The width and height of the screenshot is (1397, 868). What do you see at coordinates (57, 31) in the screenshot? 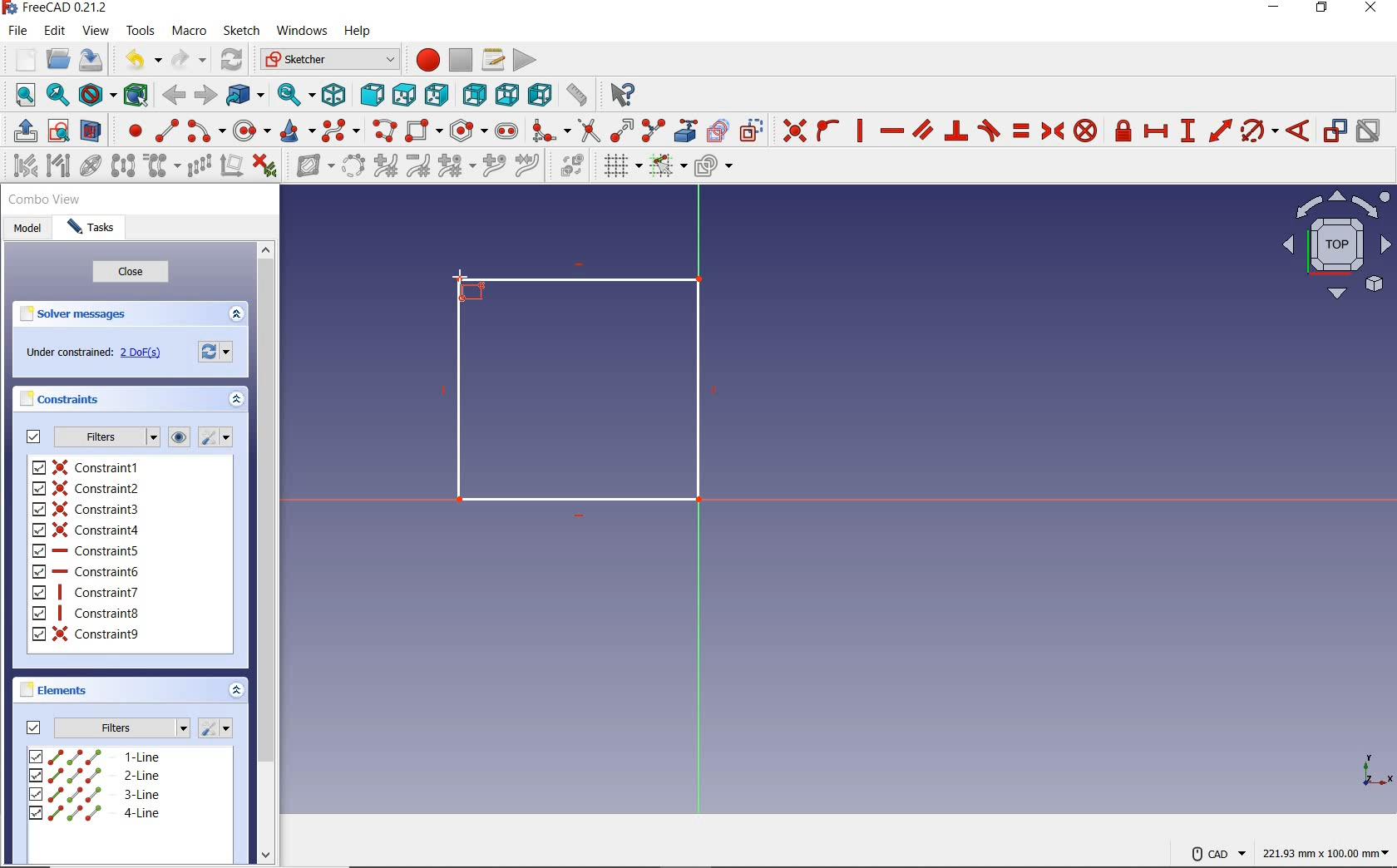
I see `edit` at bounding box center [57, 31].